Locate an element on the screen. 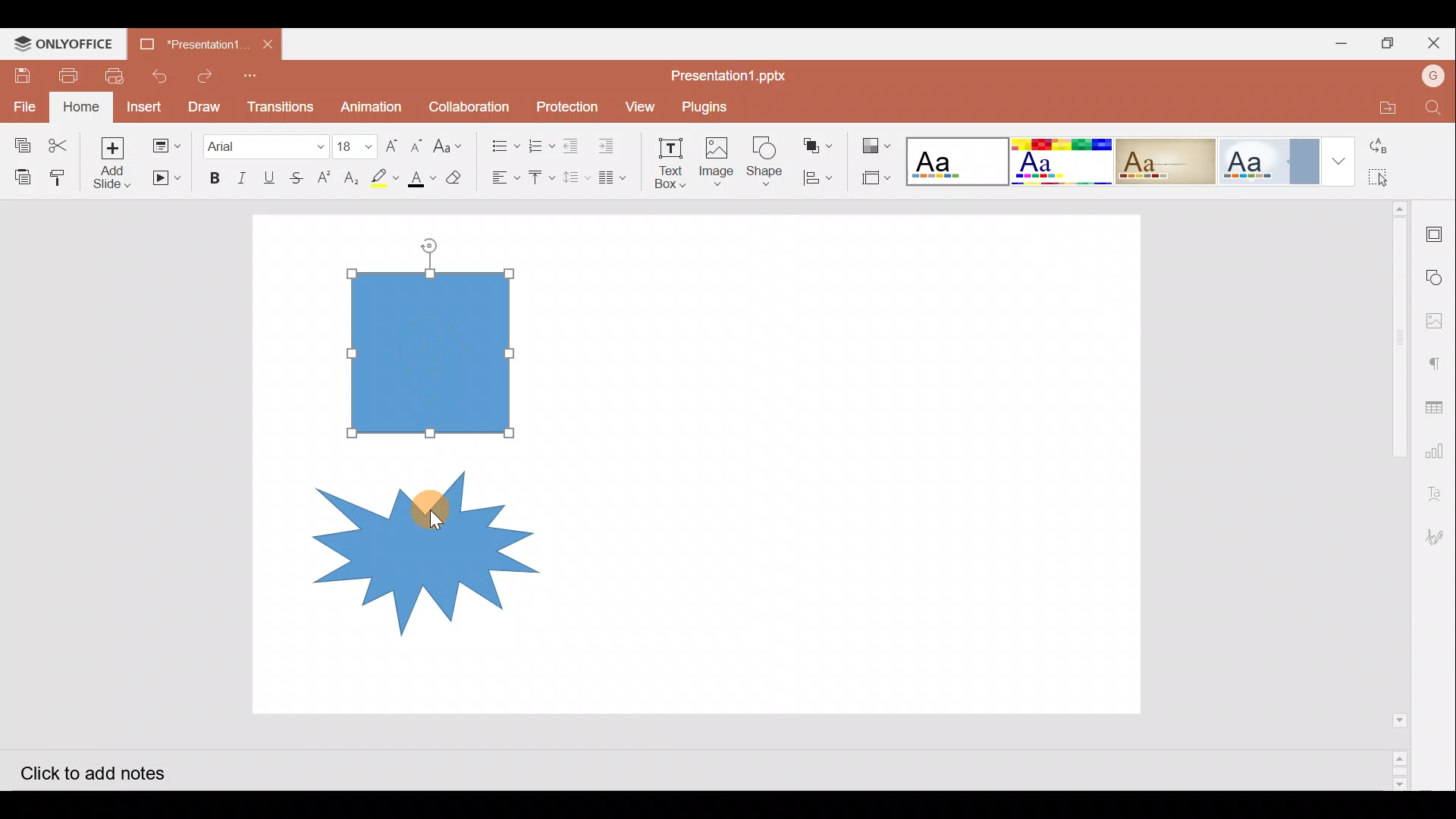  Presentation1.pptx is located at coordinates (738, 71).